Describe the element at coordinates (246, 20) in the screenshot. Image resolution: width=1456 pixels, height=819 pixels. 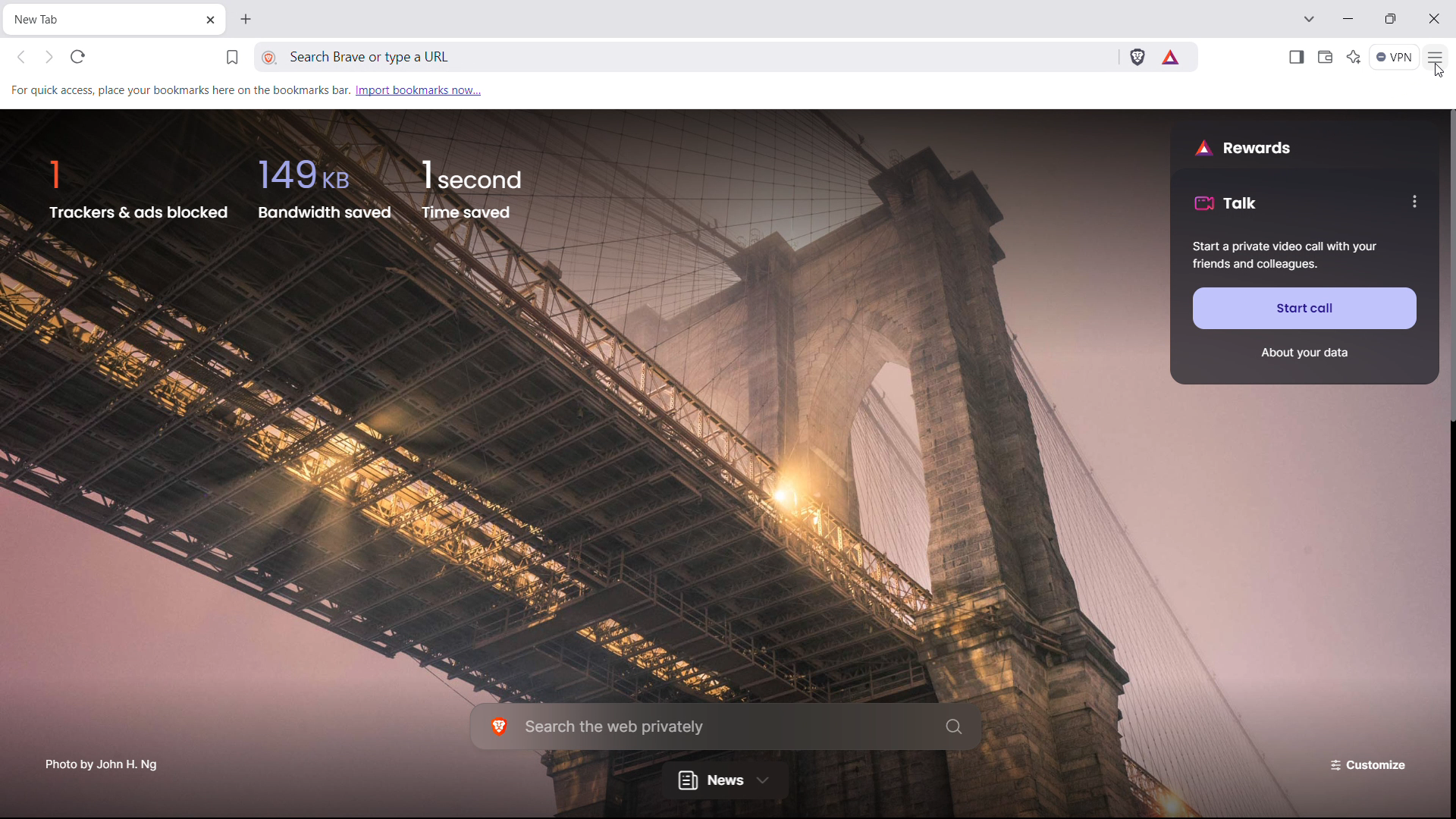
I see `open new tab` at that location.